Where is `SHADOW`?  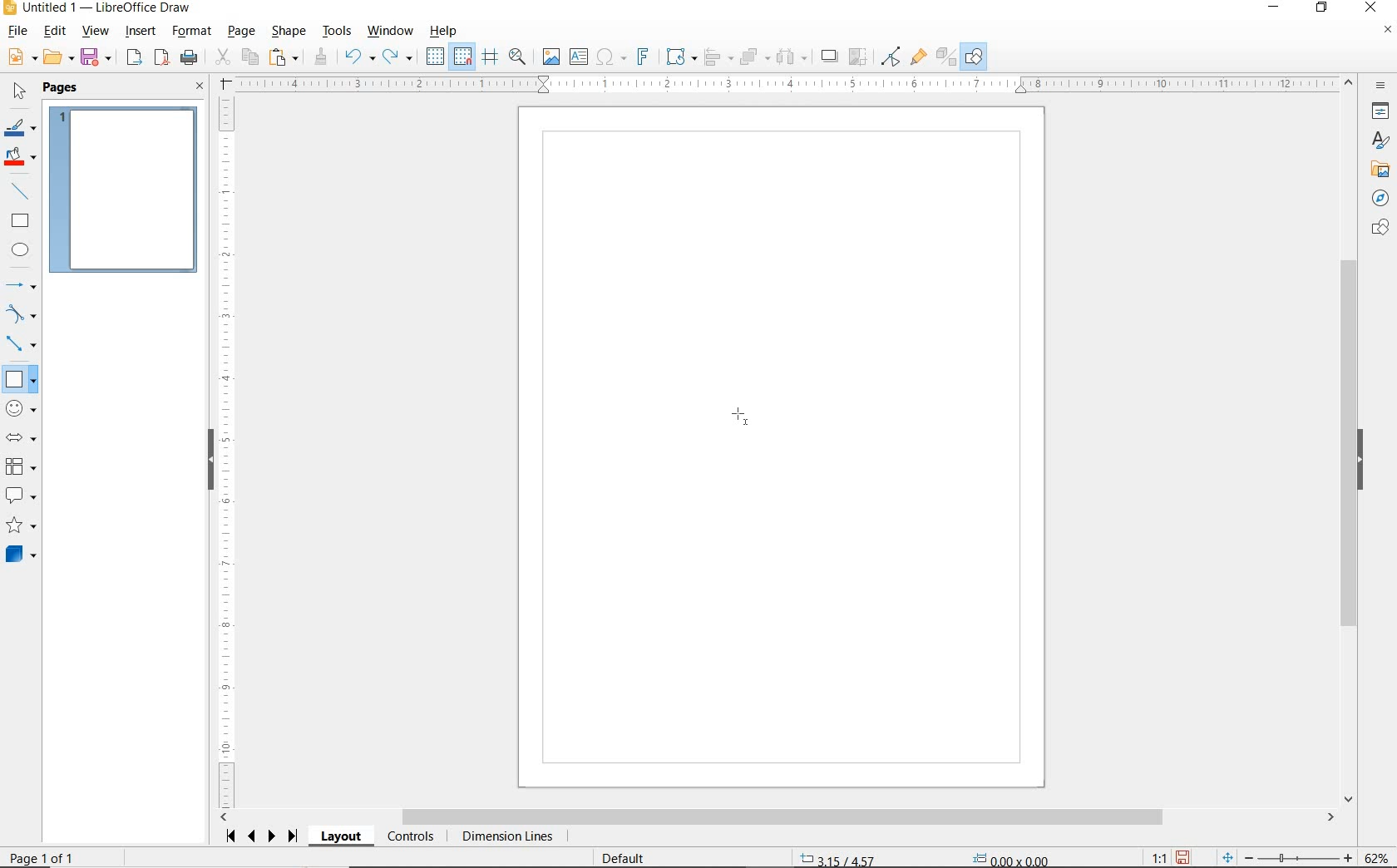 SHADOW is located at coordinates (830, 57).